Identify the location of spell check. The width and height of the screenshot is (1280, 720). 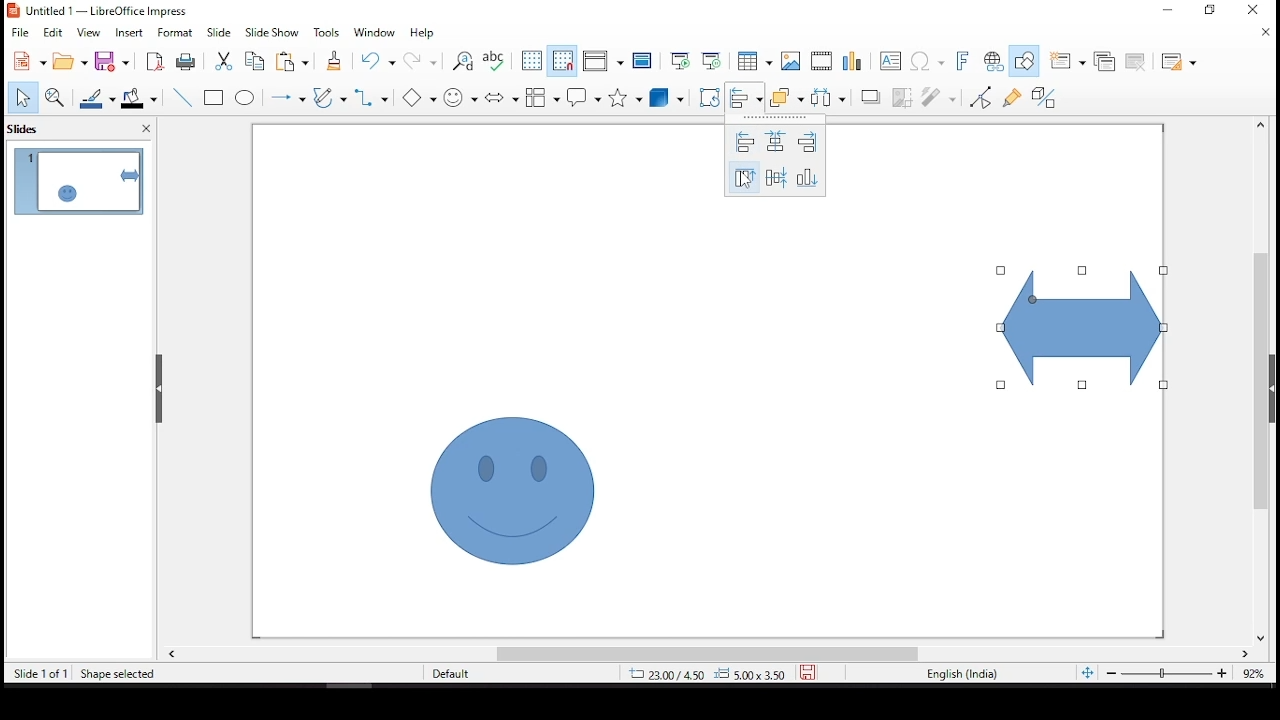
(495, 61).